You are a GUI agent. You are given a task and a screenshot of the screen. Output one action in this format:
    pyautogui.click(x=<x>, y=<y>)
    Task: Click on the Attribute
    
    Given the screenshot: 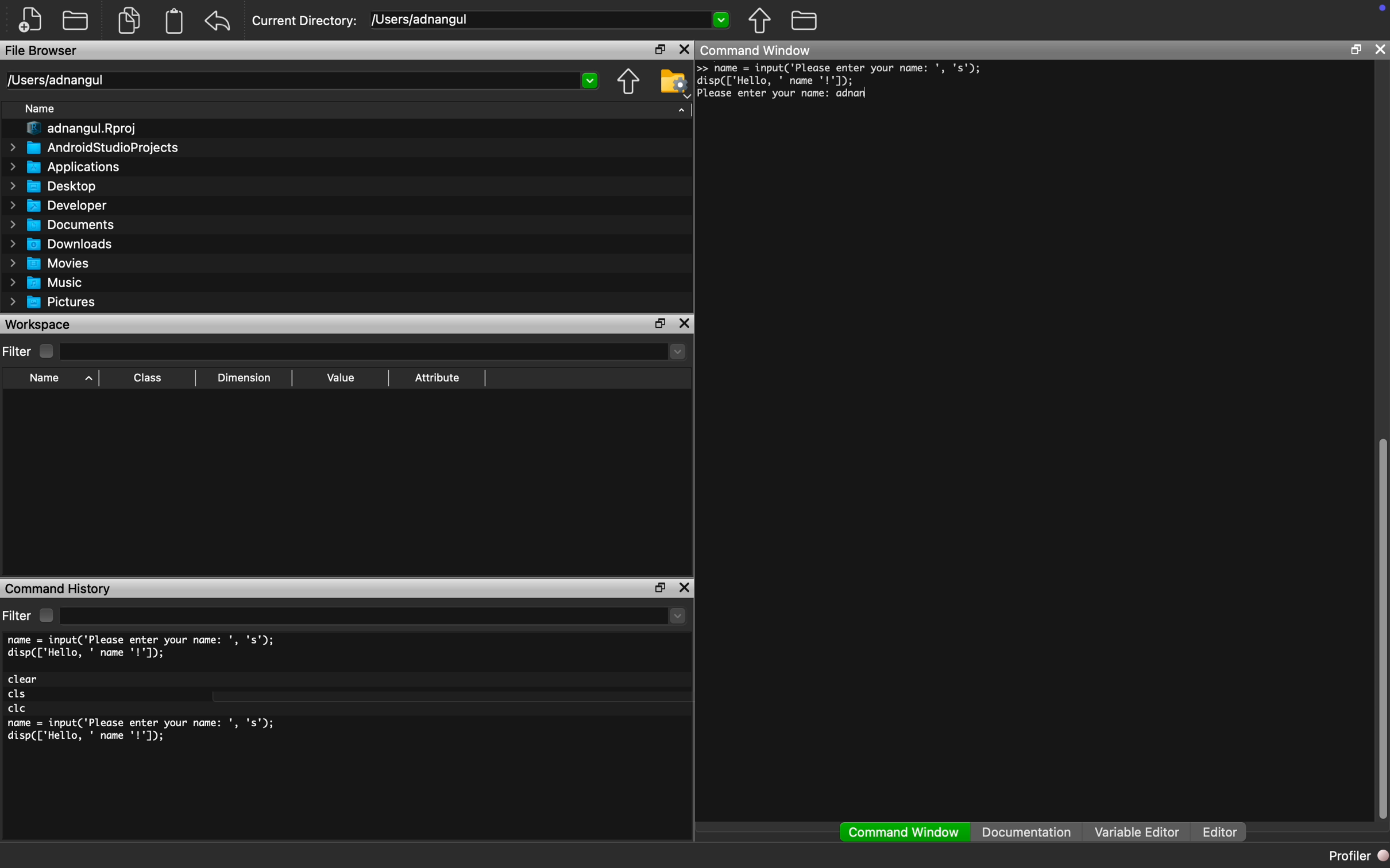 What is the action you would take?
    pyautogui.click(x=437, y=377)
    